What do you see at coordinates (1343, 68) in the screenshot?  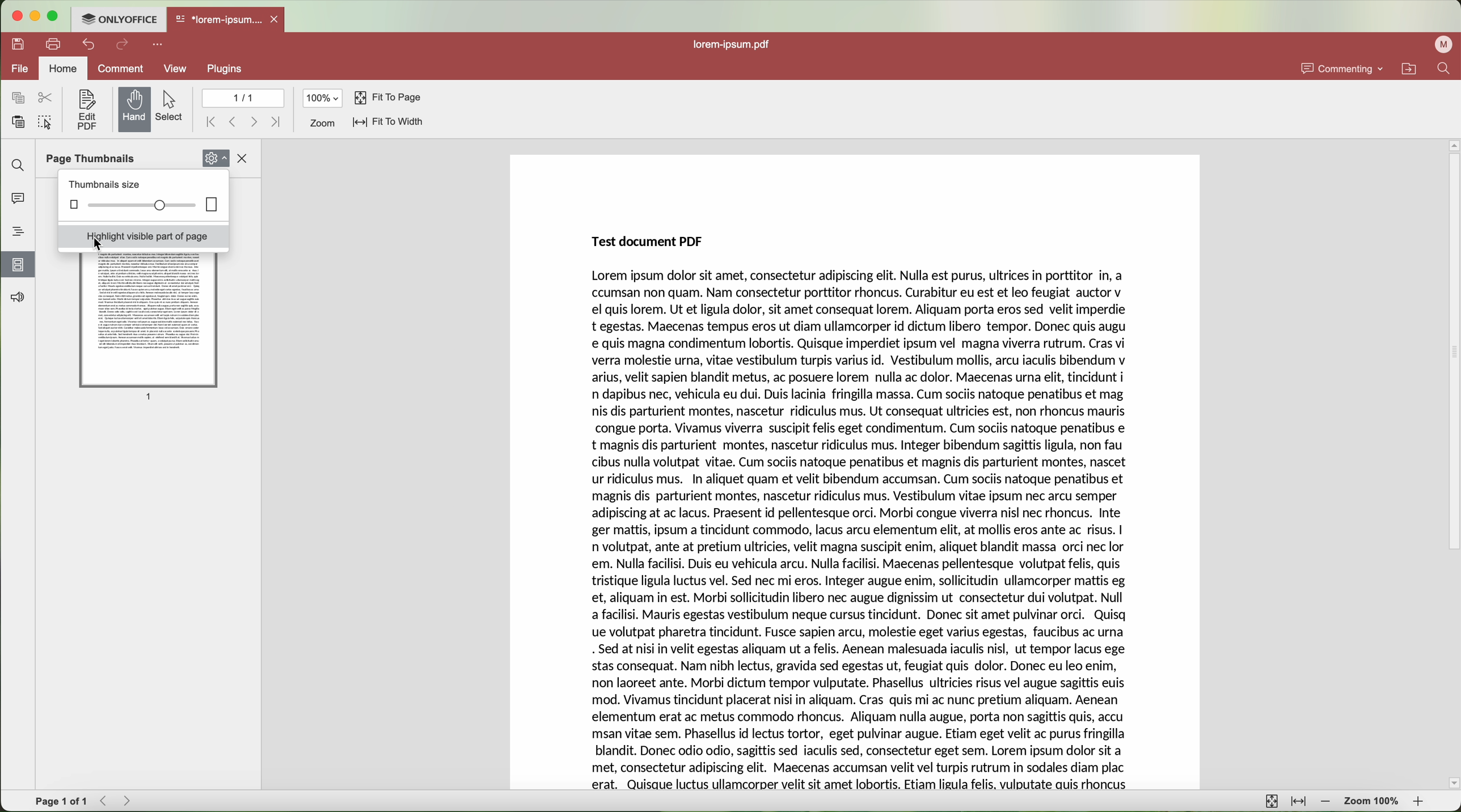 I see `commenting` at bounding box center [1343, 68].